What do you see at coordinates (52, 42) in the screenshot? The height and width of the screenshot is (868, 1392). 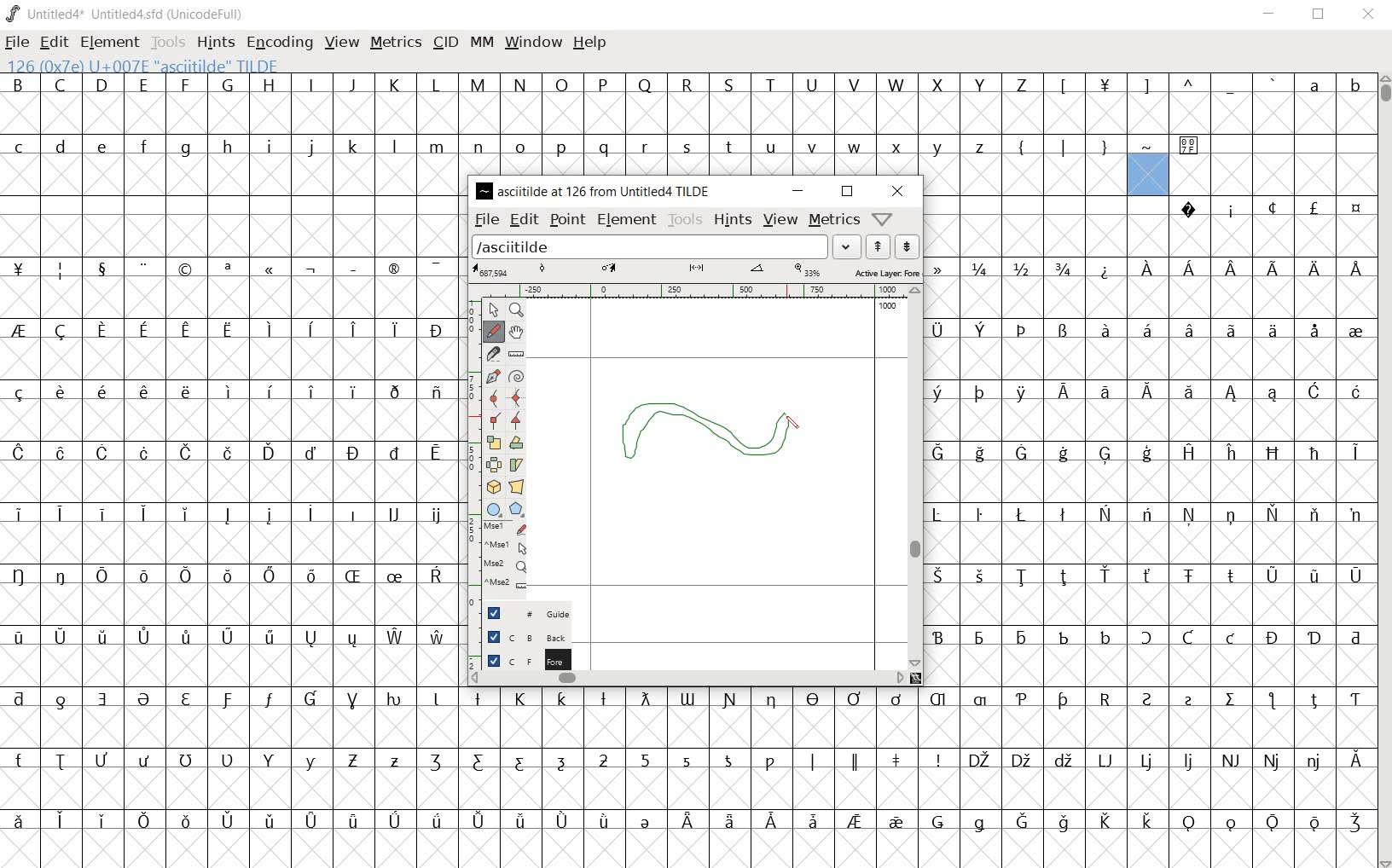 I see `EDIT` at bounding box center [52, 42].